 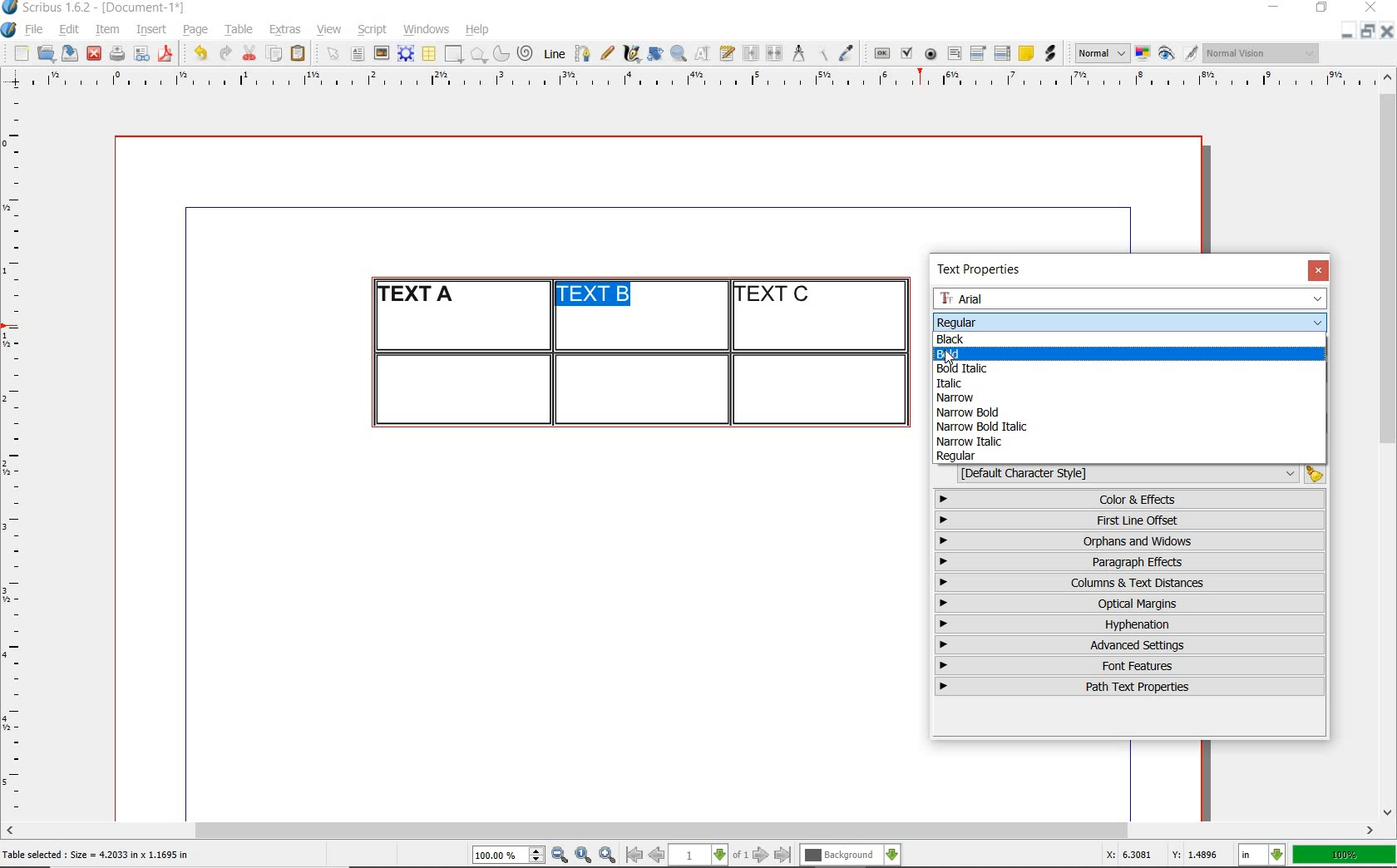 I want to click on orphans & windows, so click(x=1128, y=542).